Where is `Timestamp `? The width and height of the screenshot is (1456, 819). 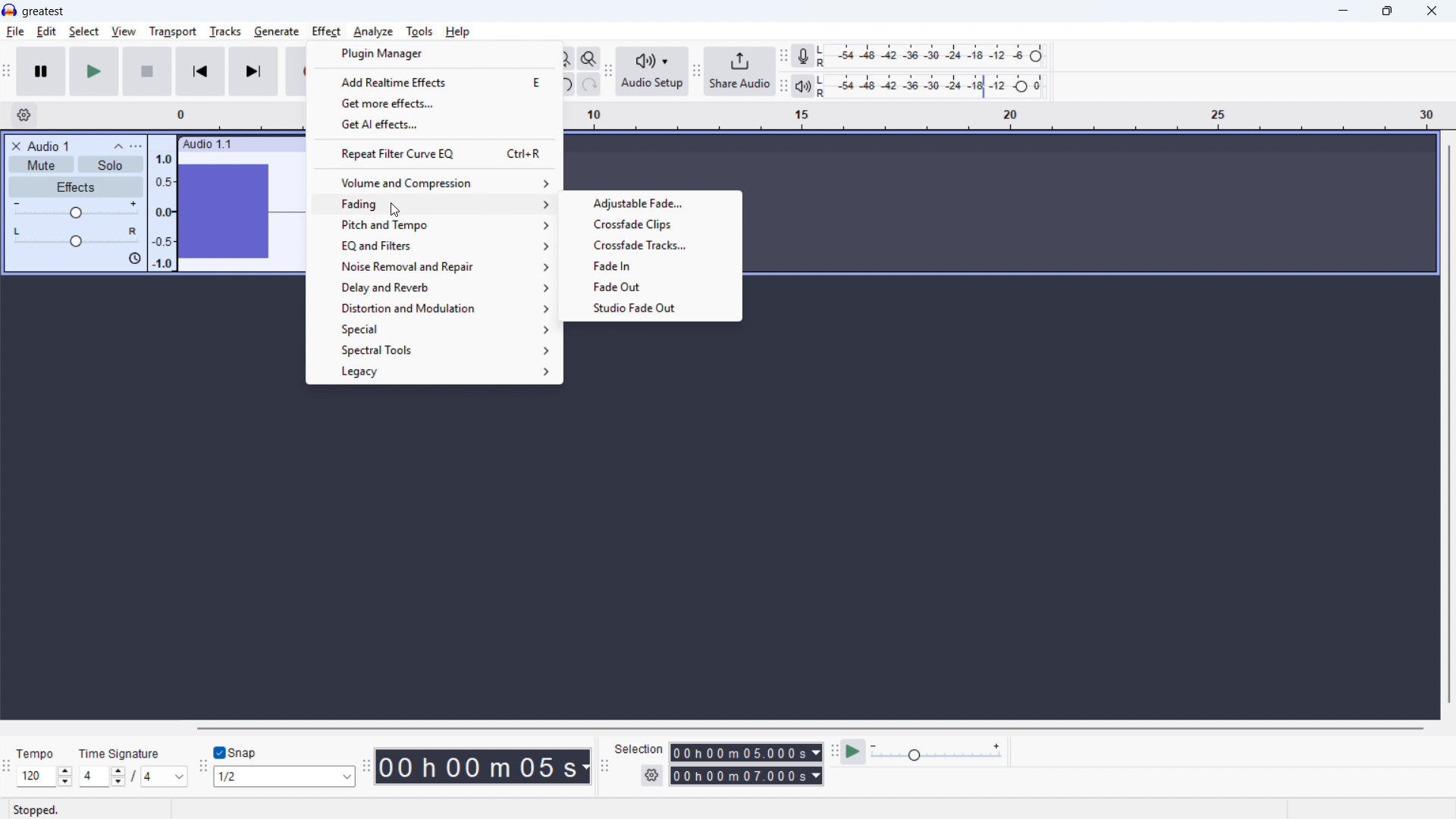
Timestamp  is located at coordinates (485, 767).